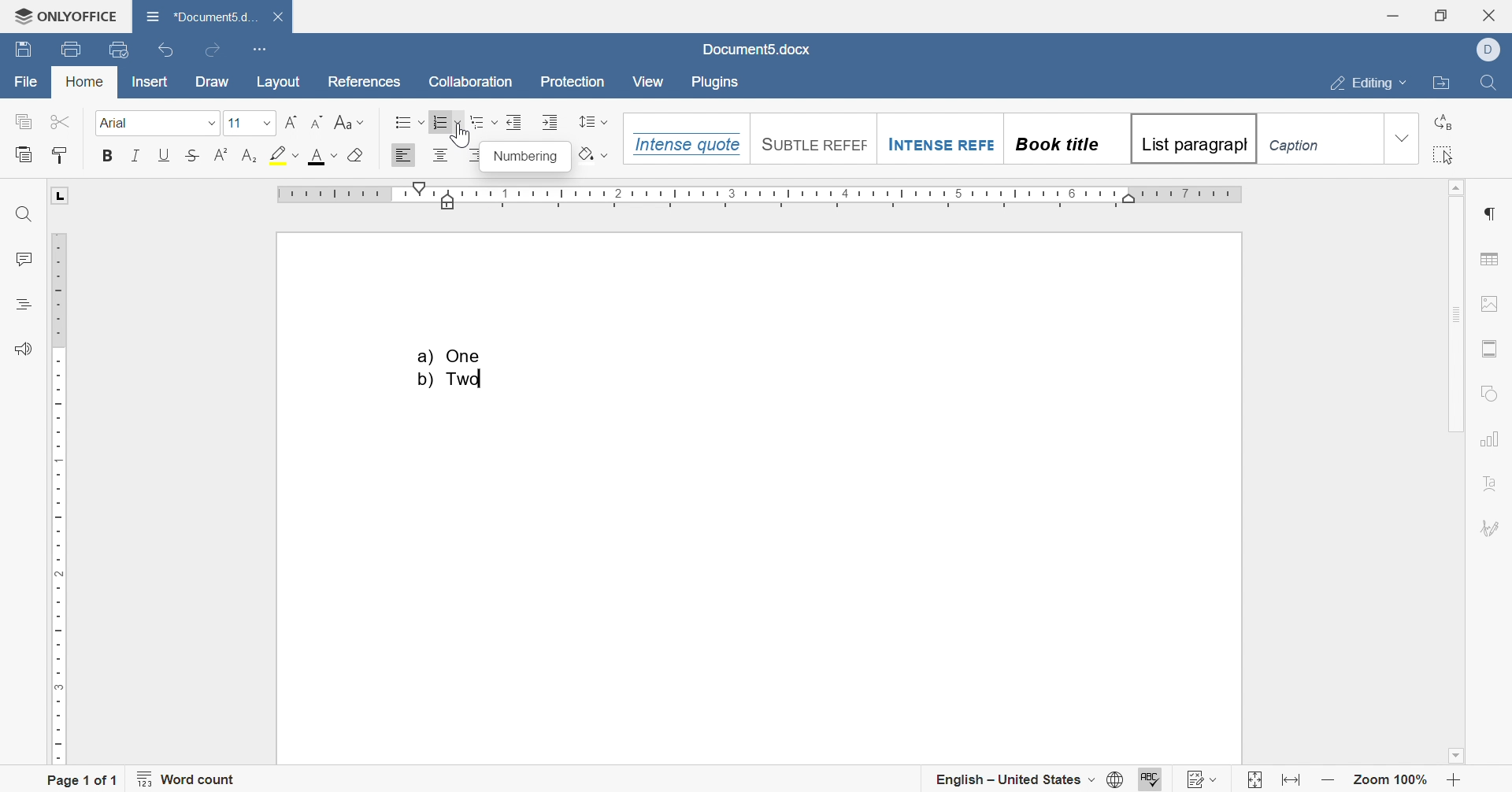  I want to click on font color, so click(324, 156).